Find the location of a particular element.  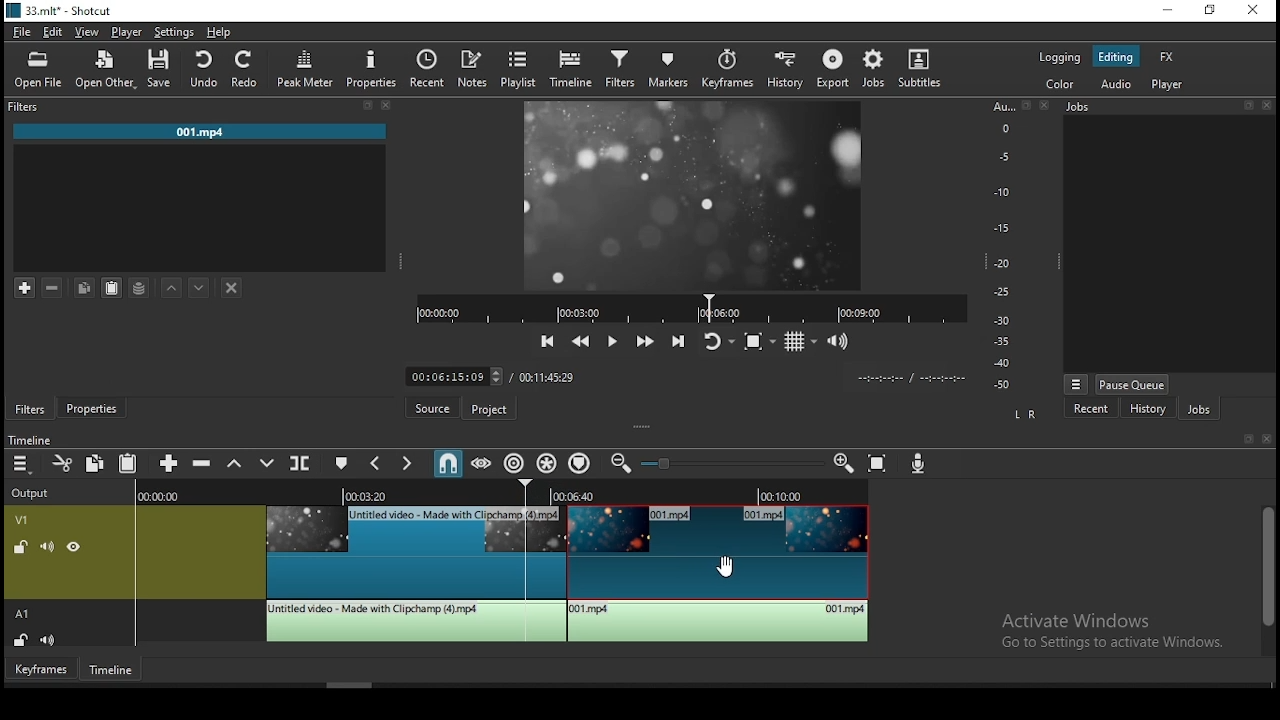

add a filter is located at coordinates (27, 288).